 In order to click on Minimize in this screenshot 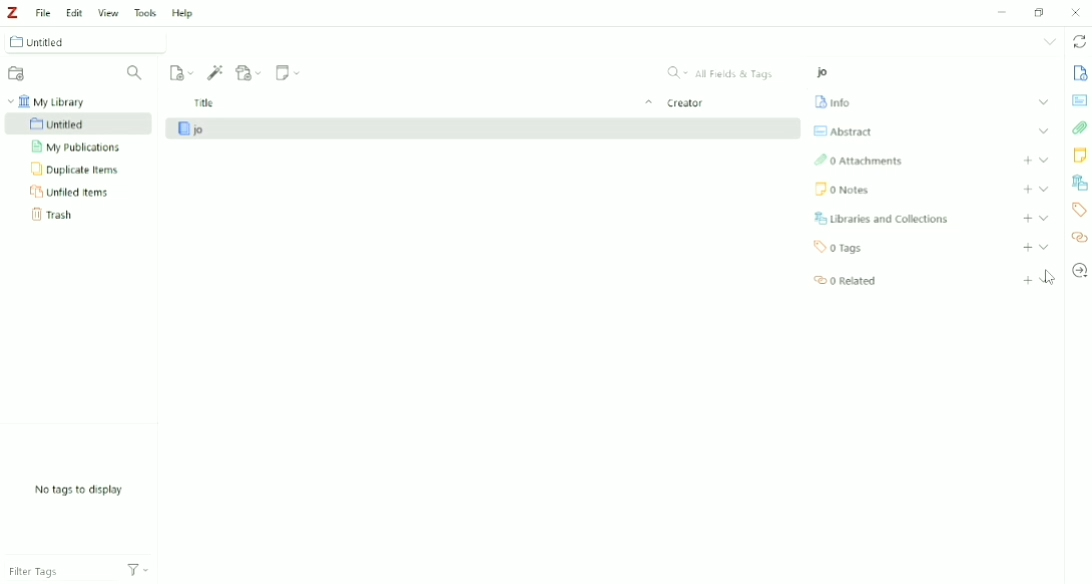, I will do `click(1002, 12)`.